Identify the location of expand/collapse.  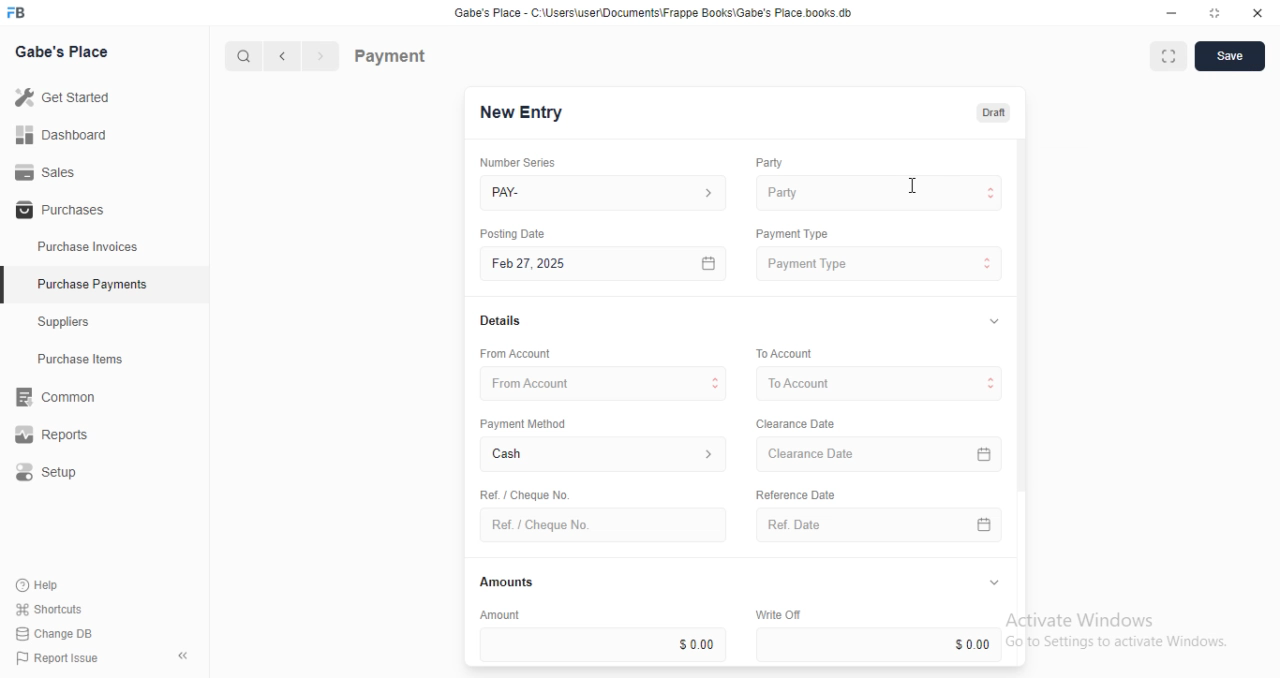
(993, 583).